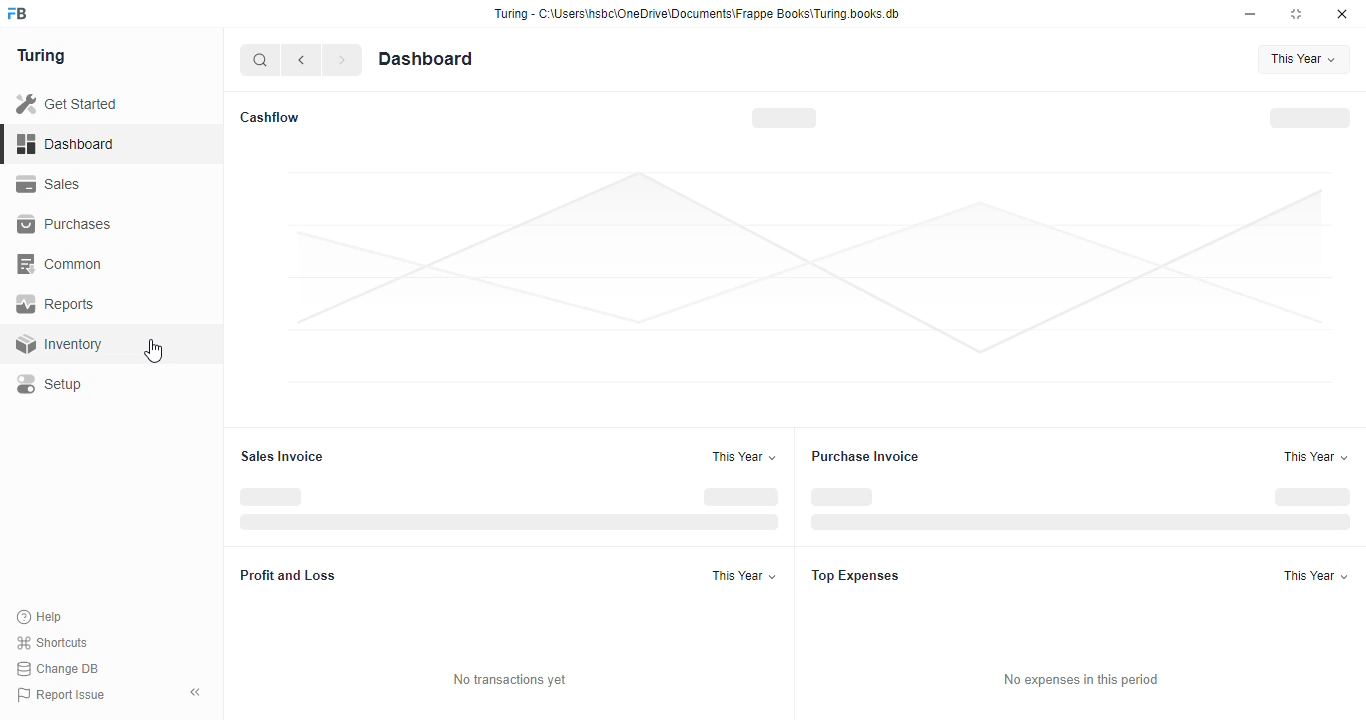 Image resolution: width=1366 pixels, height=720 pixels. What do you see at coordinates (1295, 14) in the screenshot?
I see `toggle maximize` at bounding box center [1295, 14].